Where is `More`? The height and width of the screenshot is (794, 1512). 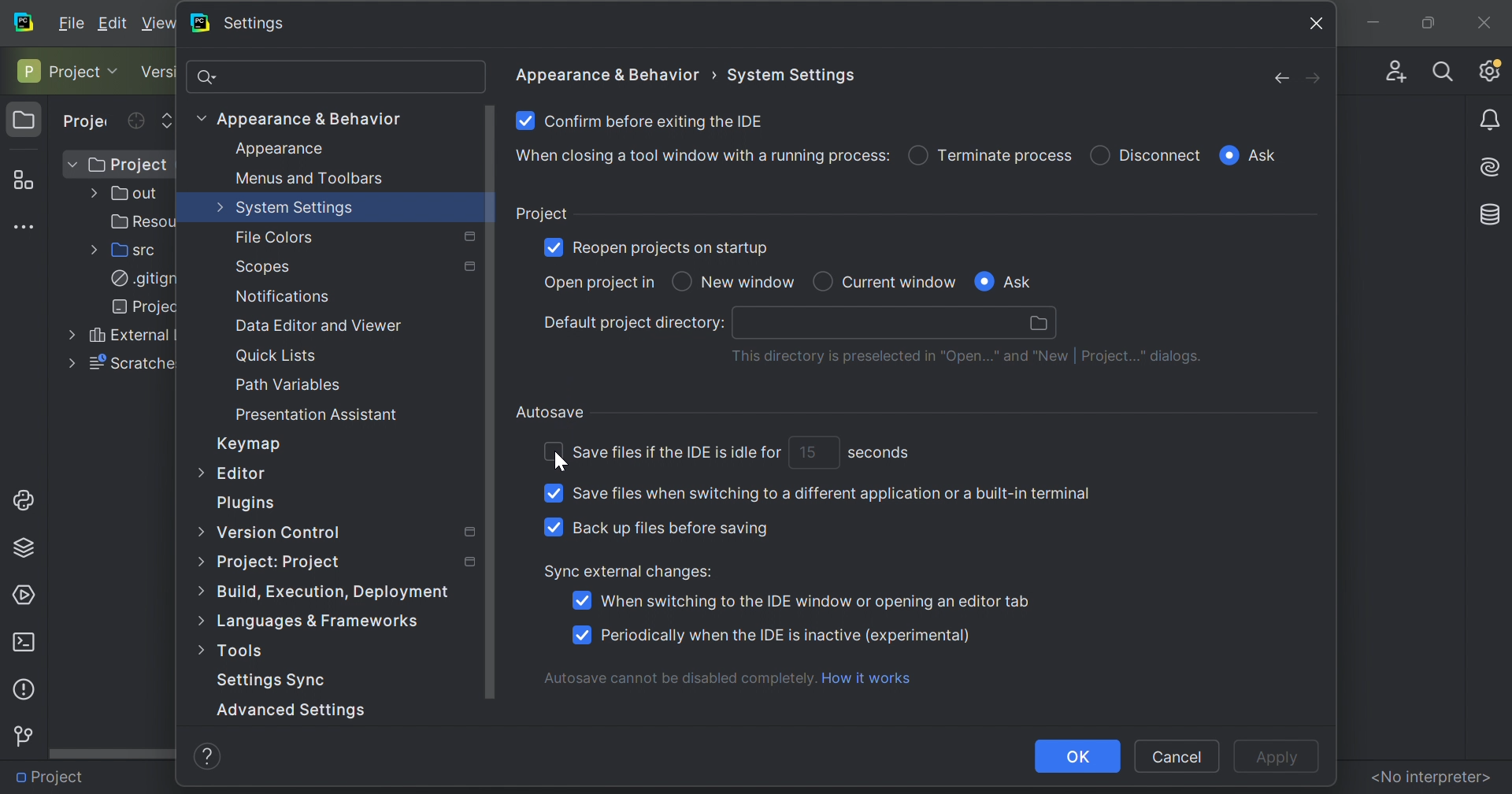
More is located at coordinates (198, 471).